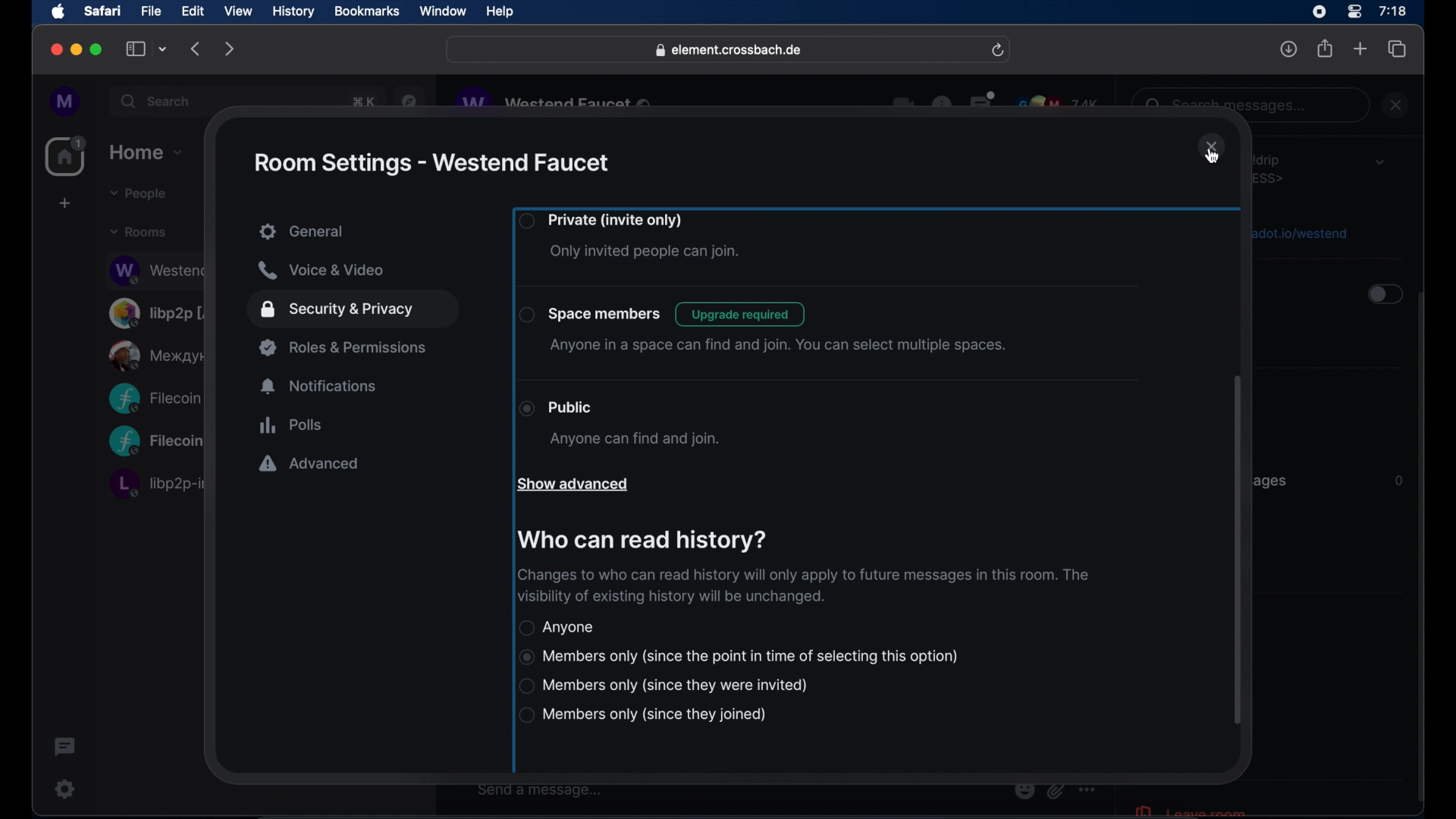 The height and width of the screenshot is (819, 1456). Describe the element at coordinates (1272, 168) in the screenshot. I see `obscure` at that location.